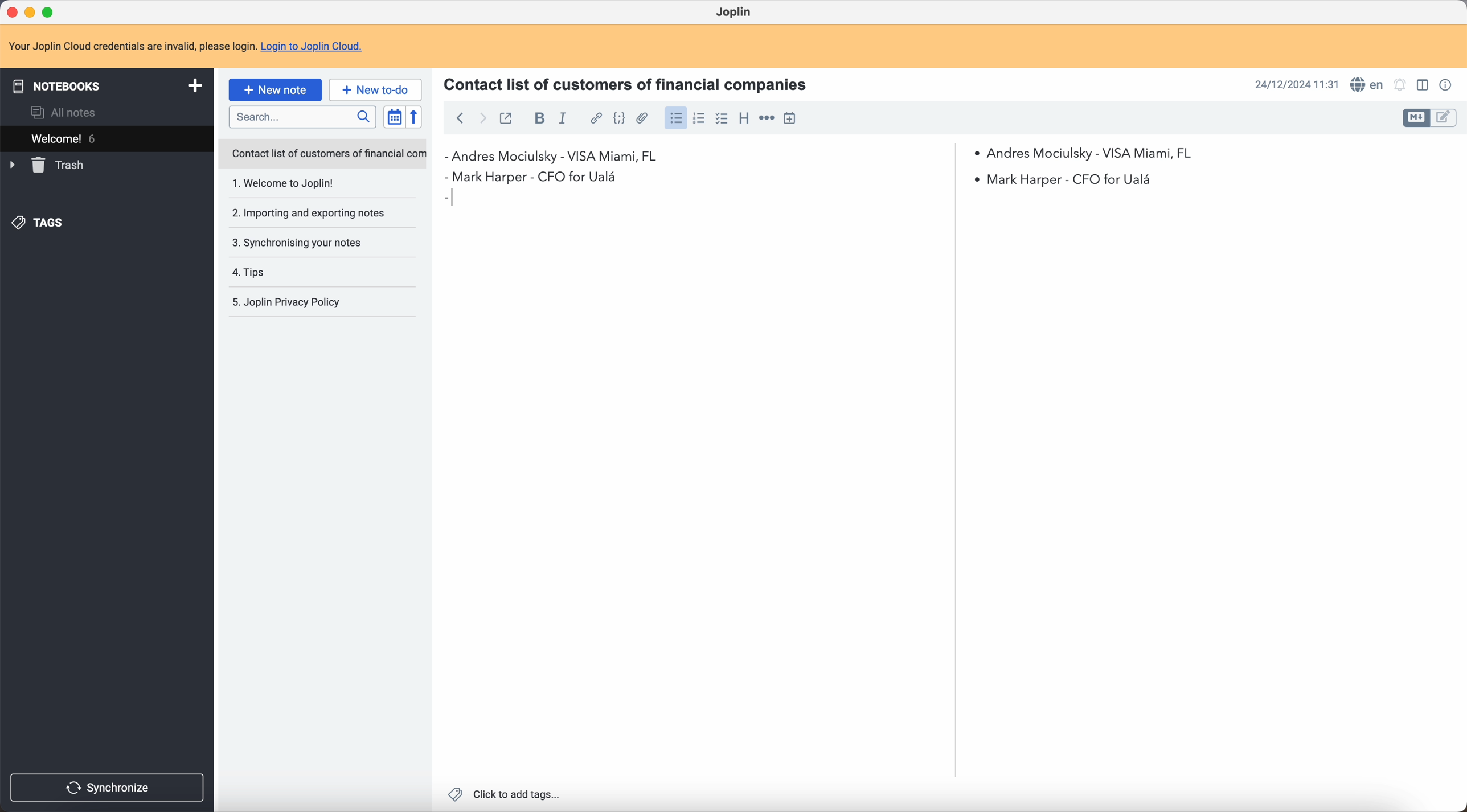 This screenshot has width=1467, height=812. I want to click on 1. Welcome to joplin!, so click(310, 184).